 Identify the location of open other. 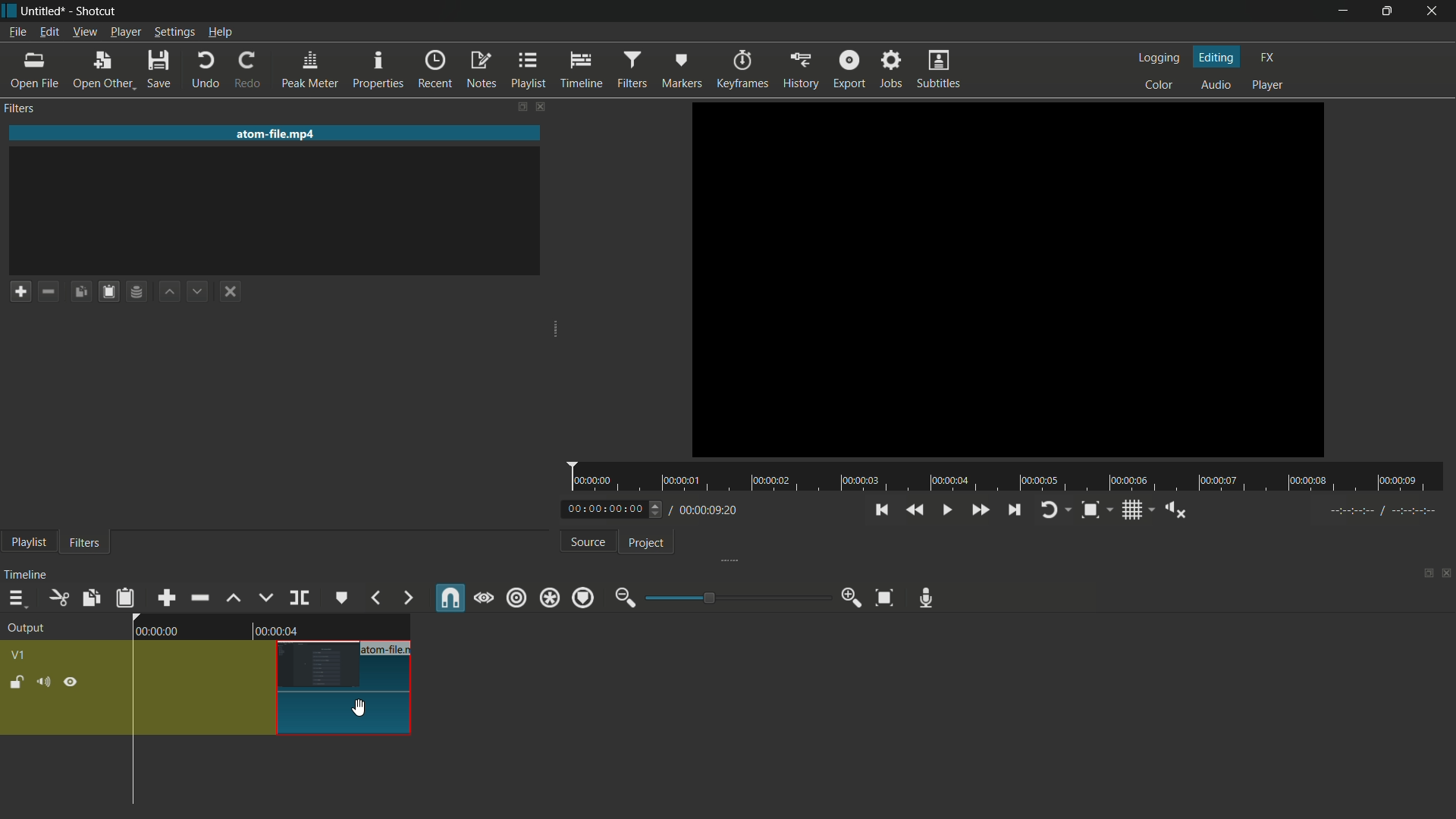
(102, 70).